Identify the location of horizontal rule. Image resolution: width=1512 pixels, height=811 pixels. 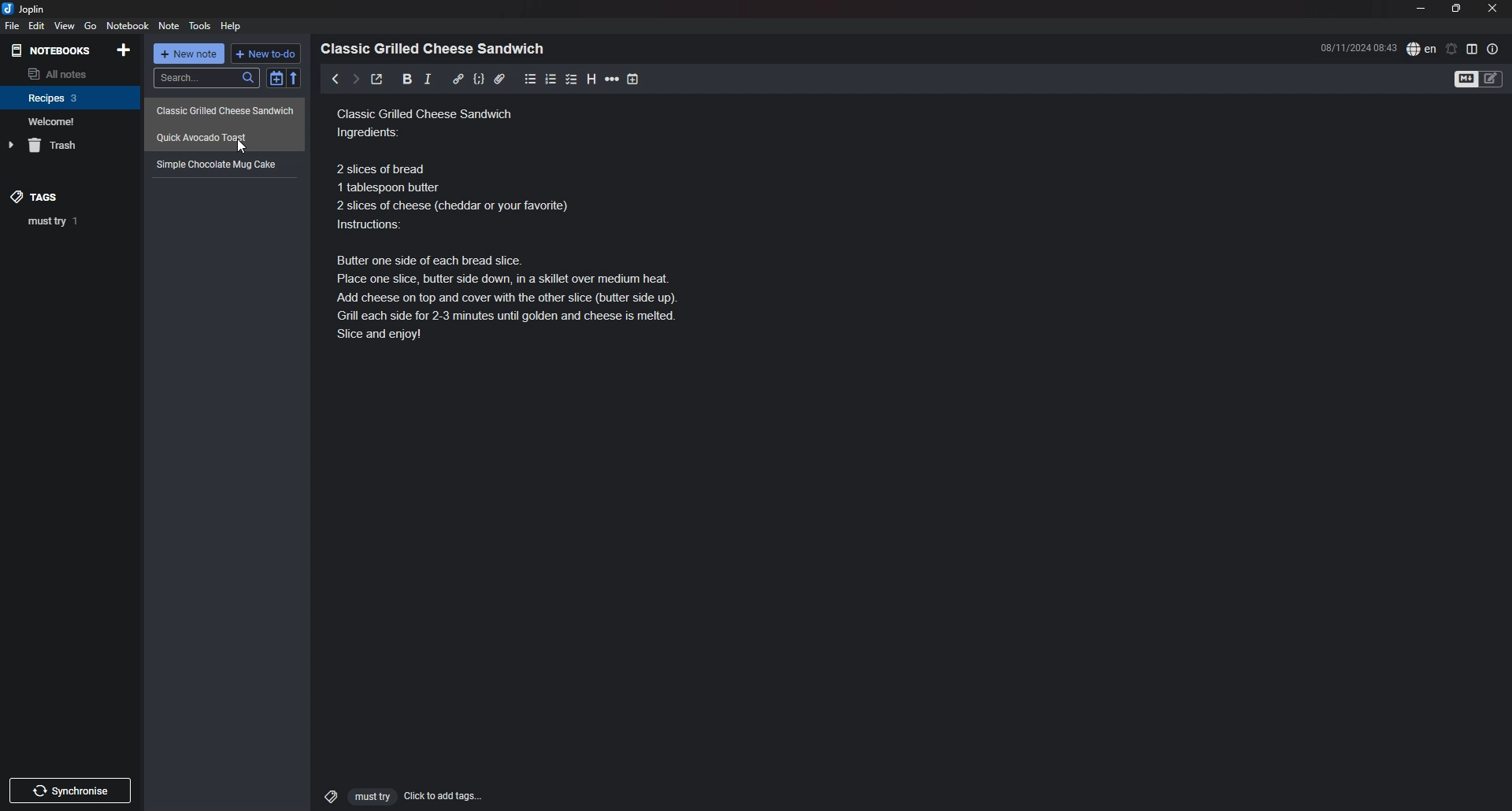
(613, 79).